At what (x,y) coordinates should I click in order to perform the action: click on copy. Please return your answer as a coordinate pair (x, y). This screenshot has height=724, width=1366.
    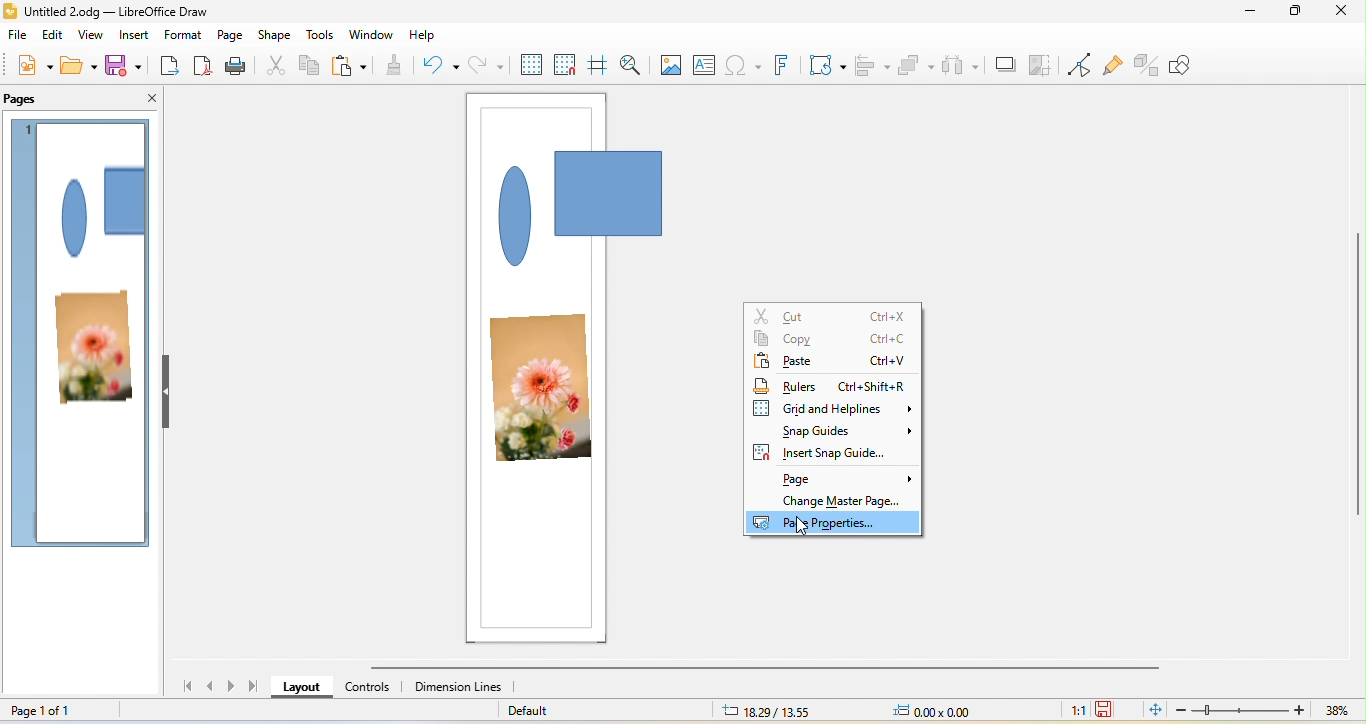
    Looking at the image, I should click on (830, 340).